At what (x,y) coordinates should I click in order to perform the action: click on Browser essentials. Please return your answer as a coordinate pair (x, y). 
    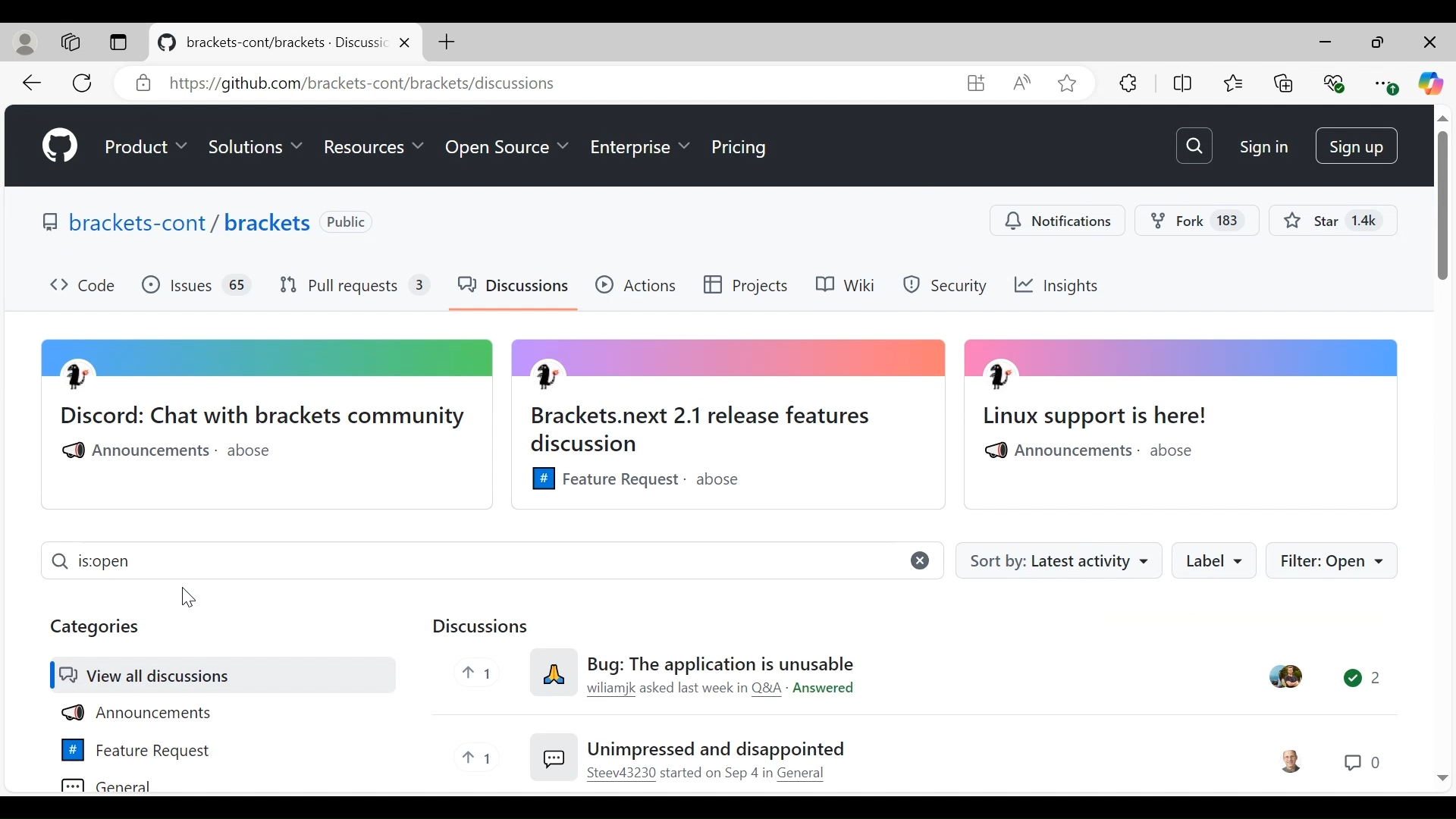
    Looking at the image, I should click on (1336, 83).